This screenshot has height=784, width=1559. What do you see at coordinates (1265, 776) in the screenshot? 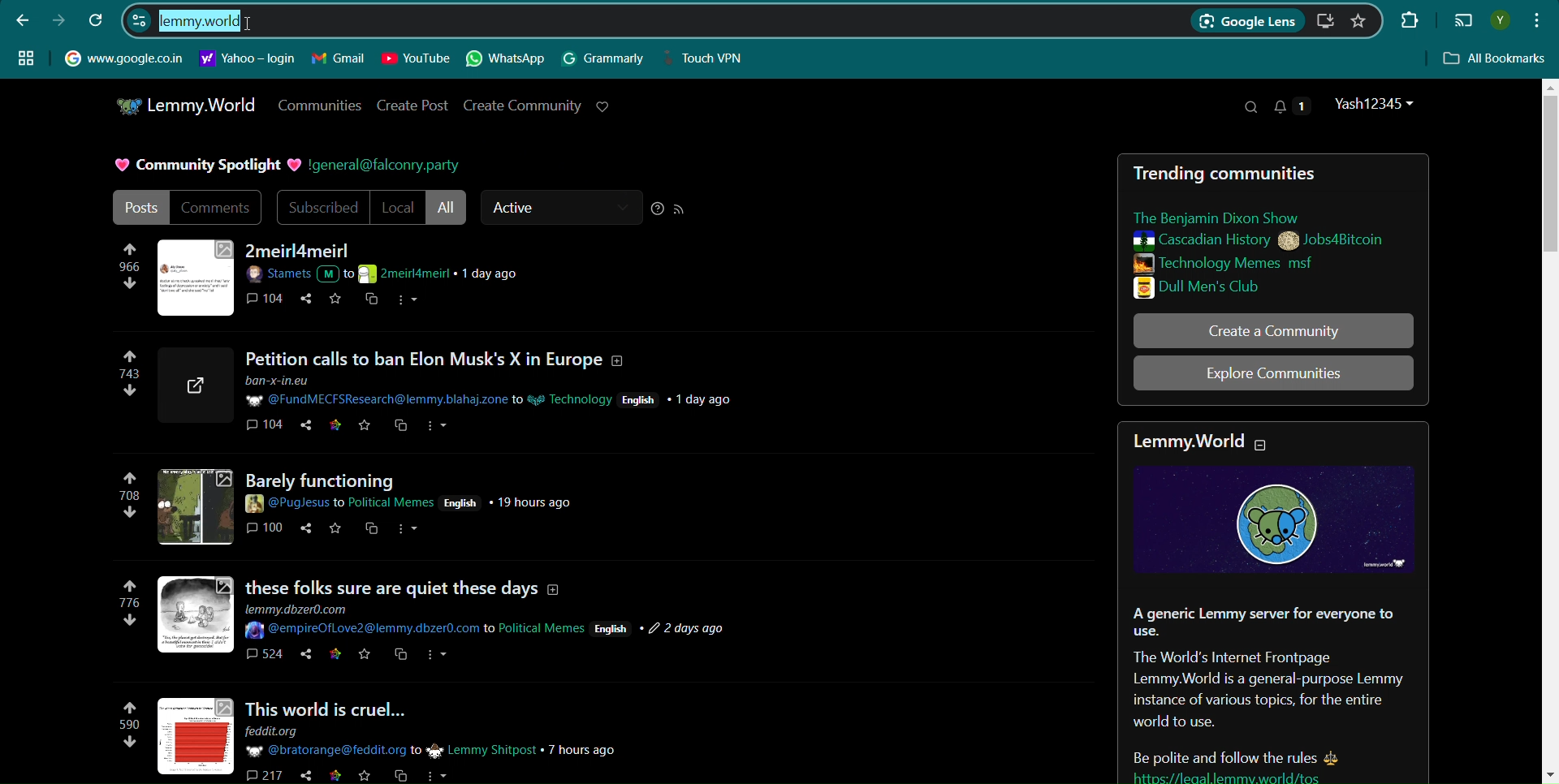
I see `Link` at bounding box center [1265, 776].